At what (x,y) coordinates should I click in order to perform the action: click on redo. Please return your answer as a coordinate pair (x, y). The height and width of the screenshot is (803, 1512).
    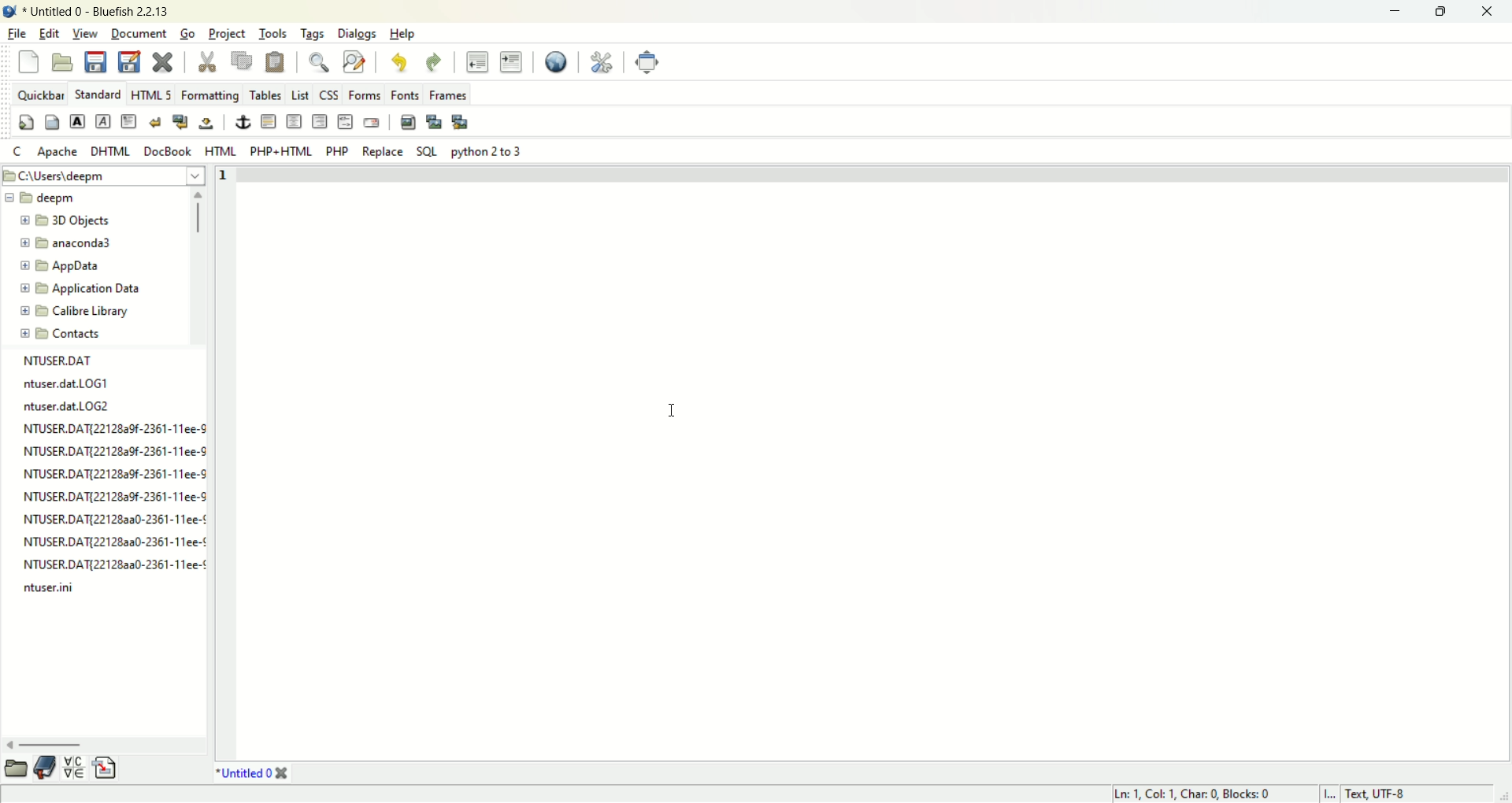
    Looking at the image, I should click on (436, 62).